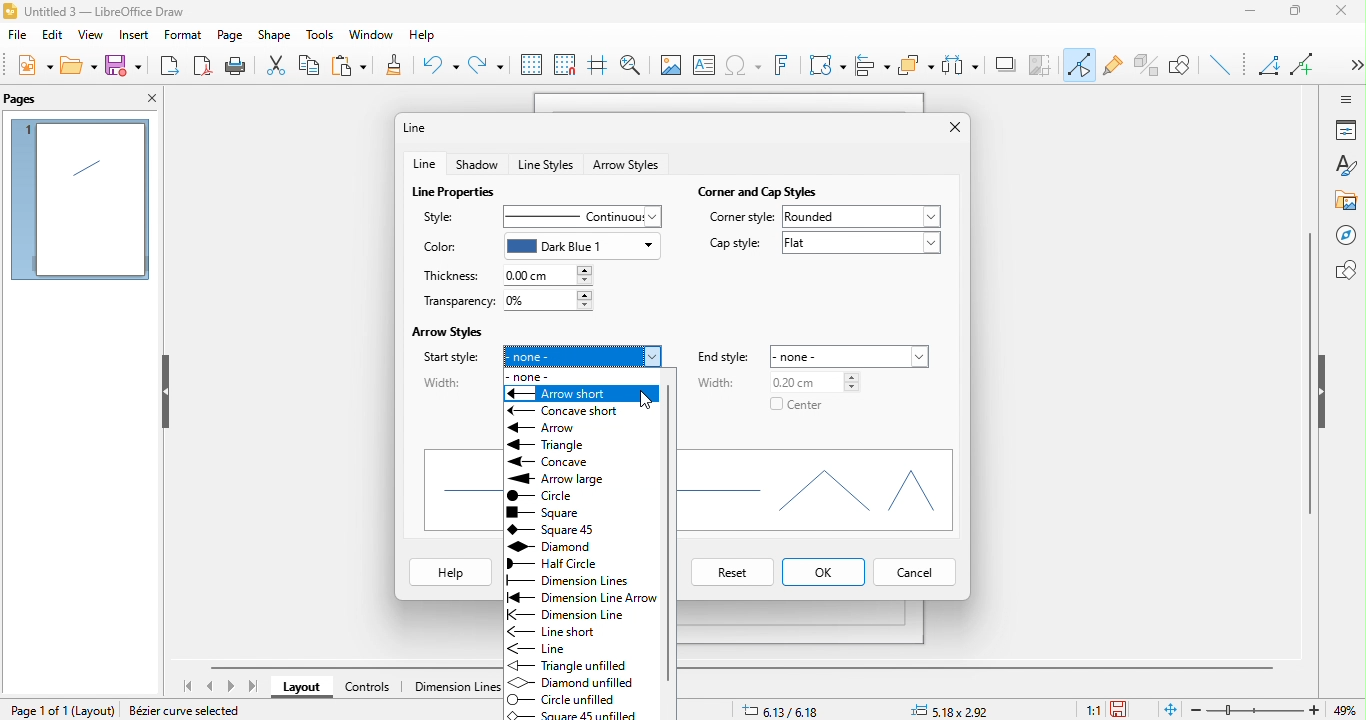 Image resolution: width=1366 pixels, height=720 pixels. I want to click on end style, so click(728, 357).